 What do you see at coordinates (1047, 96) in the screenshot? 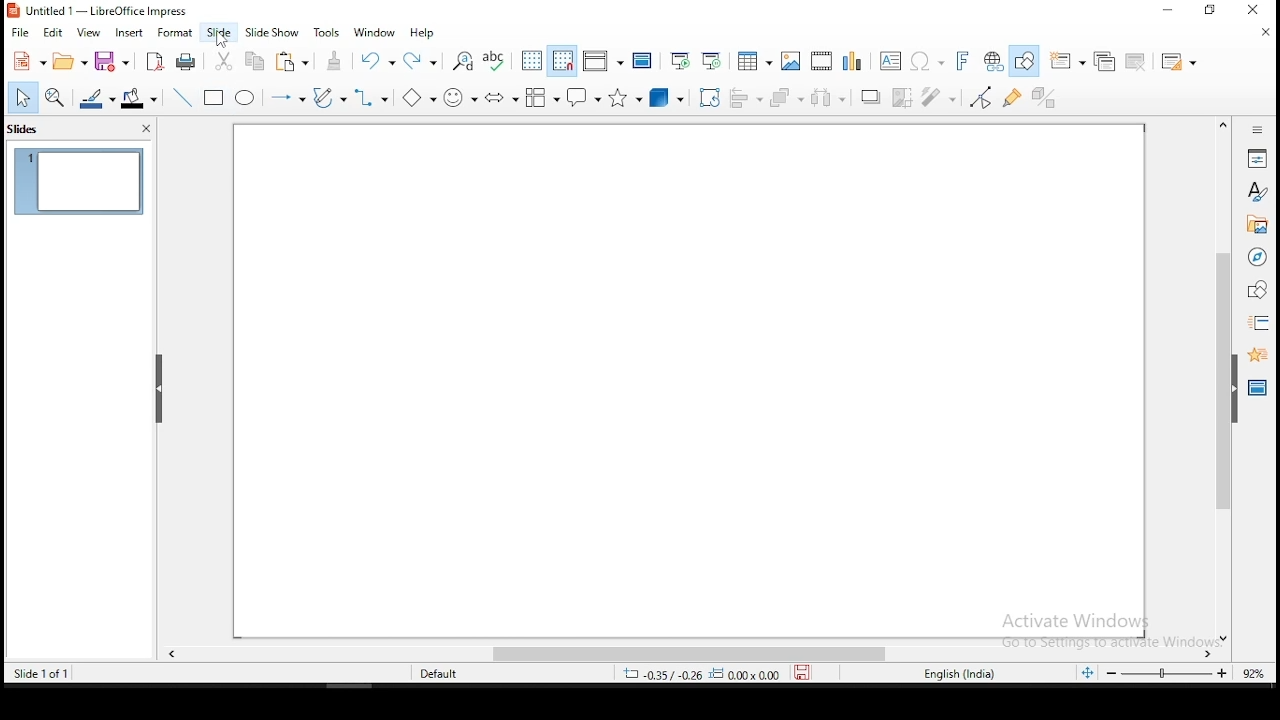
I see `toggle extrusiuon` at bounding box center [1047, 96].